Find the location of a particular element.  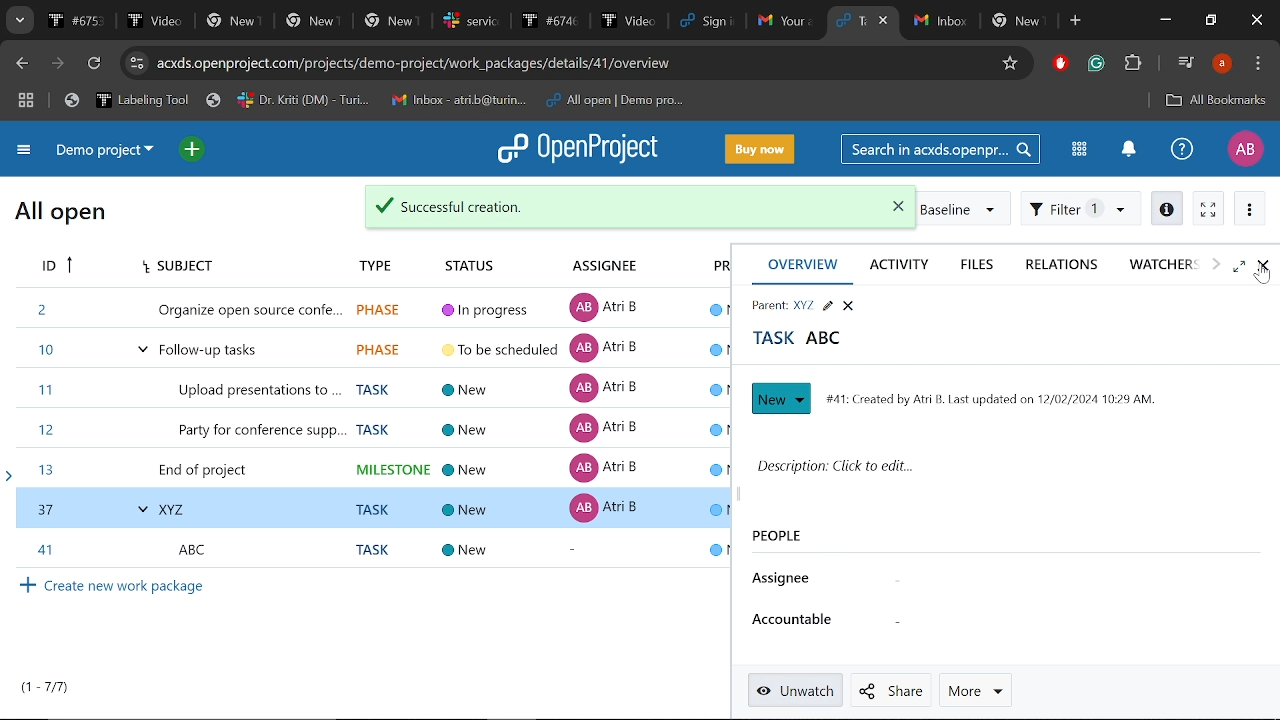

Close is located at coordinates (1258, 21).